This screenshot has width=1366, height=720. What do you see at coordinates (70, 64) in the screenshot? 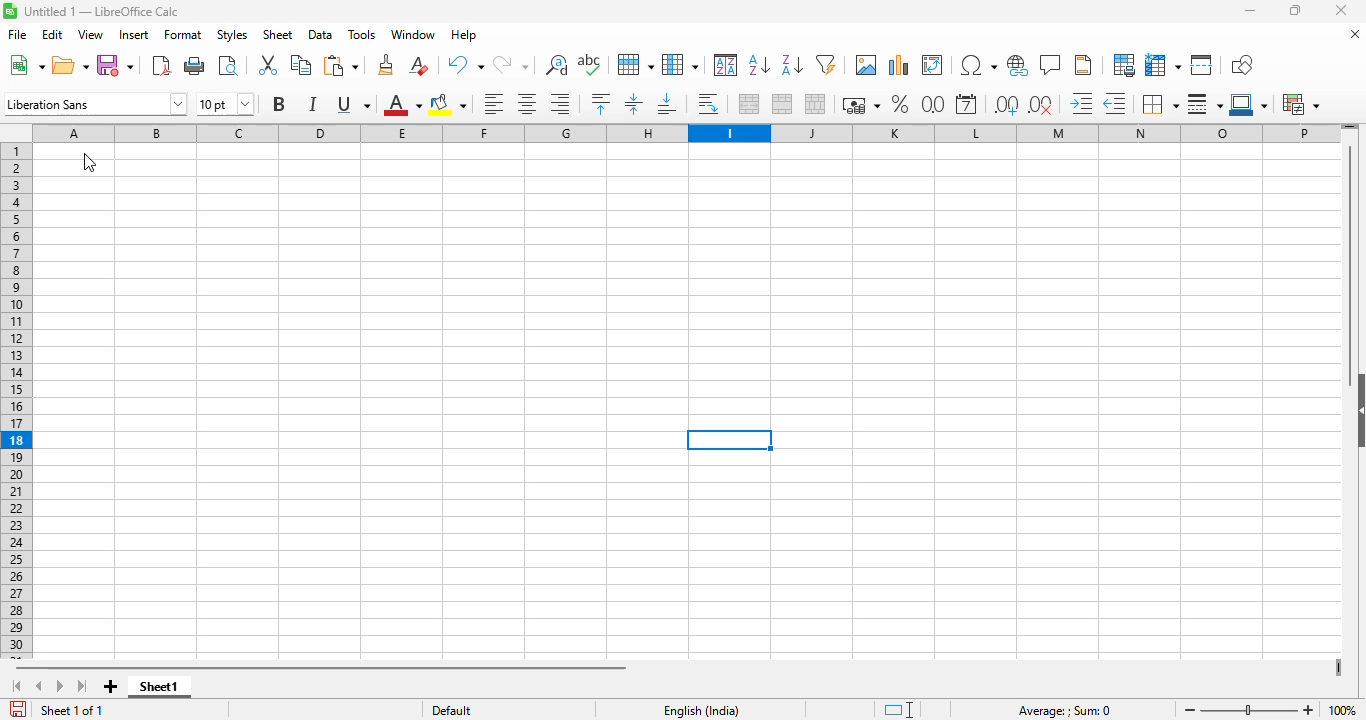
I see `open` at bounding box center [70, 64].